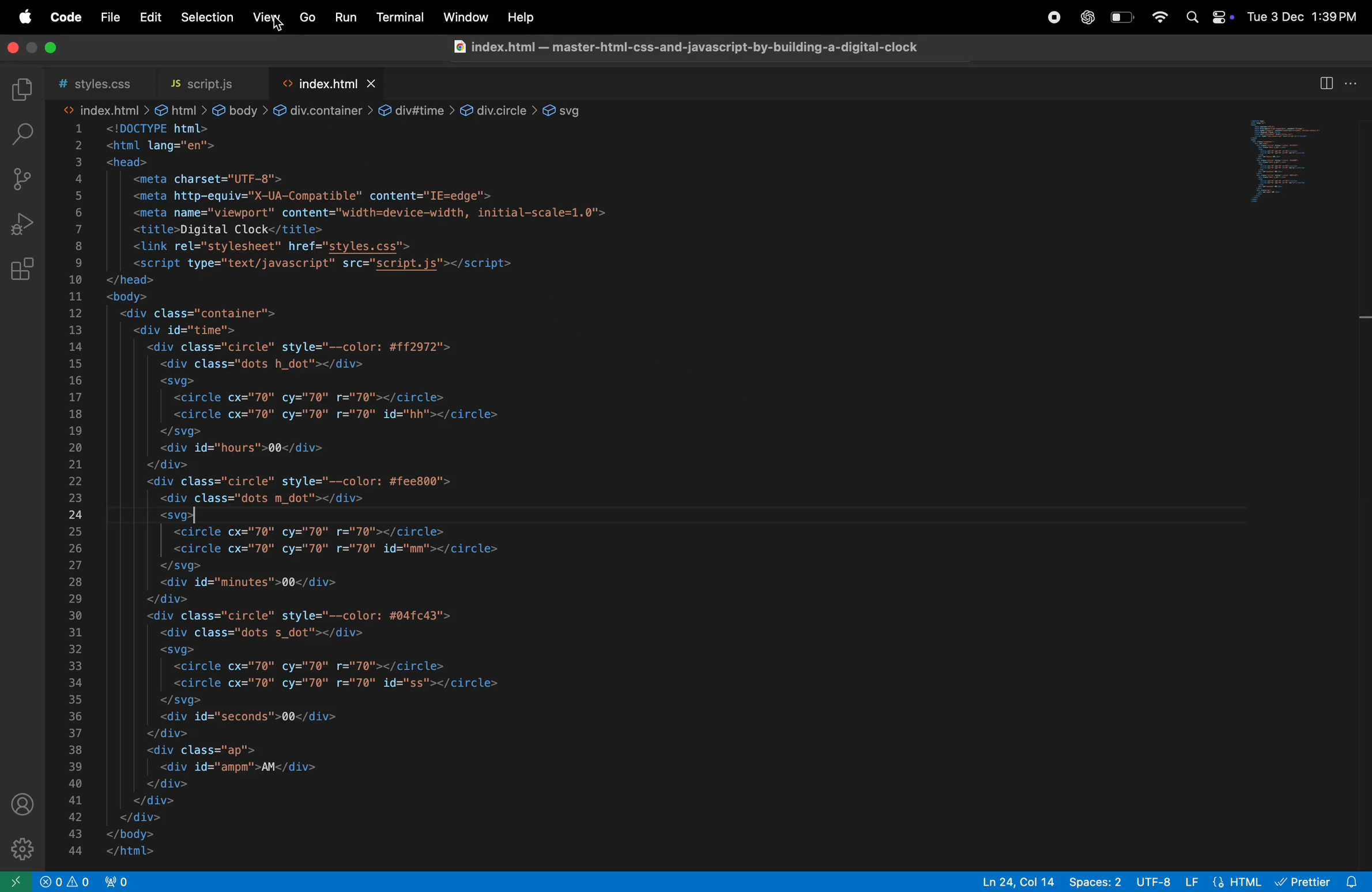  I want to click on spaces 8, so click(1096, 882).